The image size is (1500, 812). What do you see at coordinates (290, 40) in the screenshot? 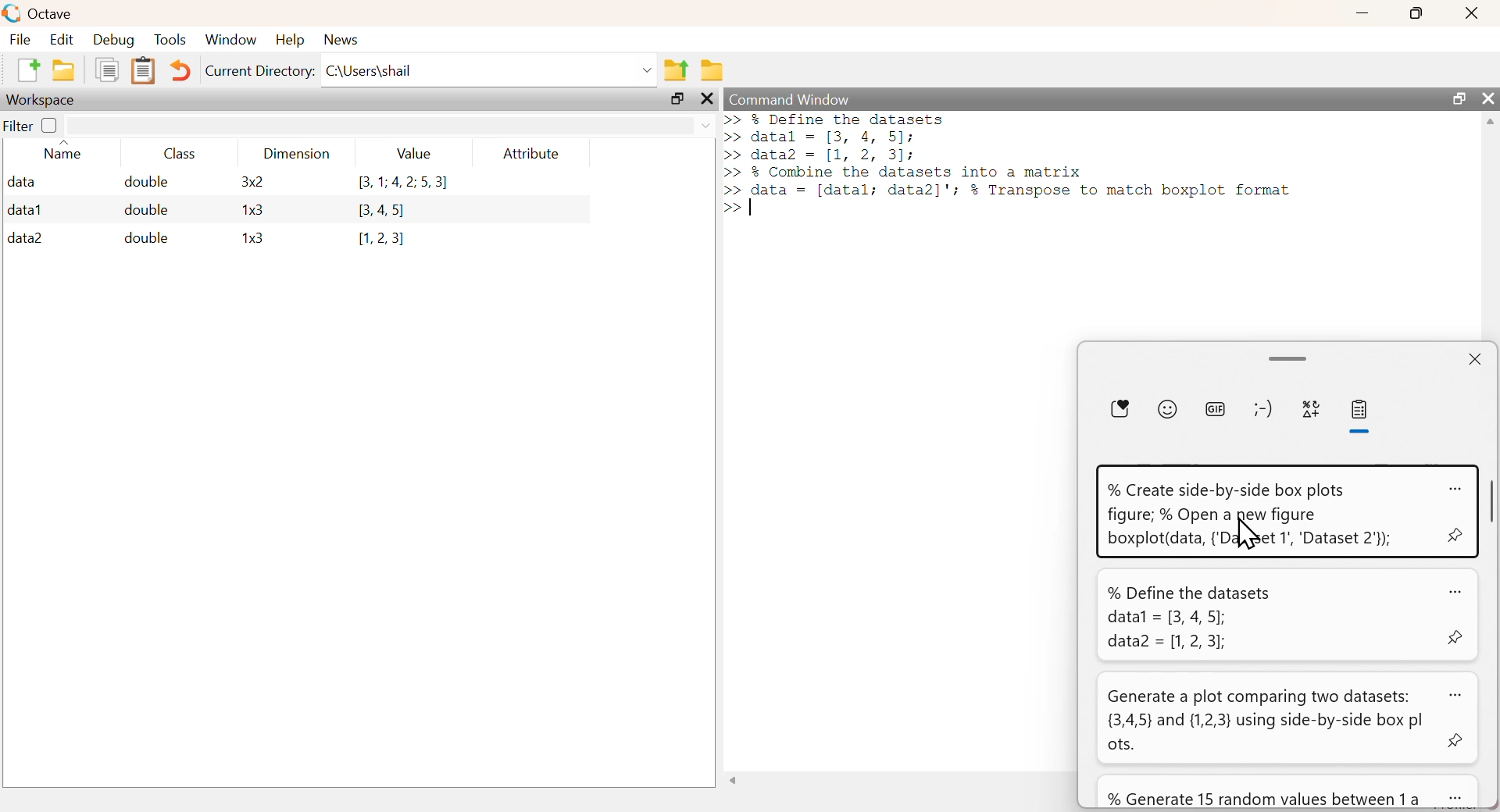
I see `Help` at bounding box center [290, 40].